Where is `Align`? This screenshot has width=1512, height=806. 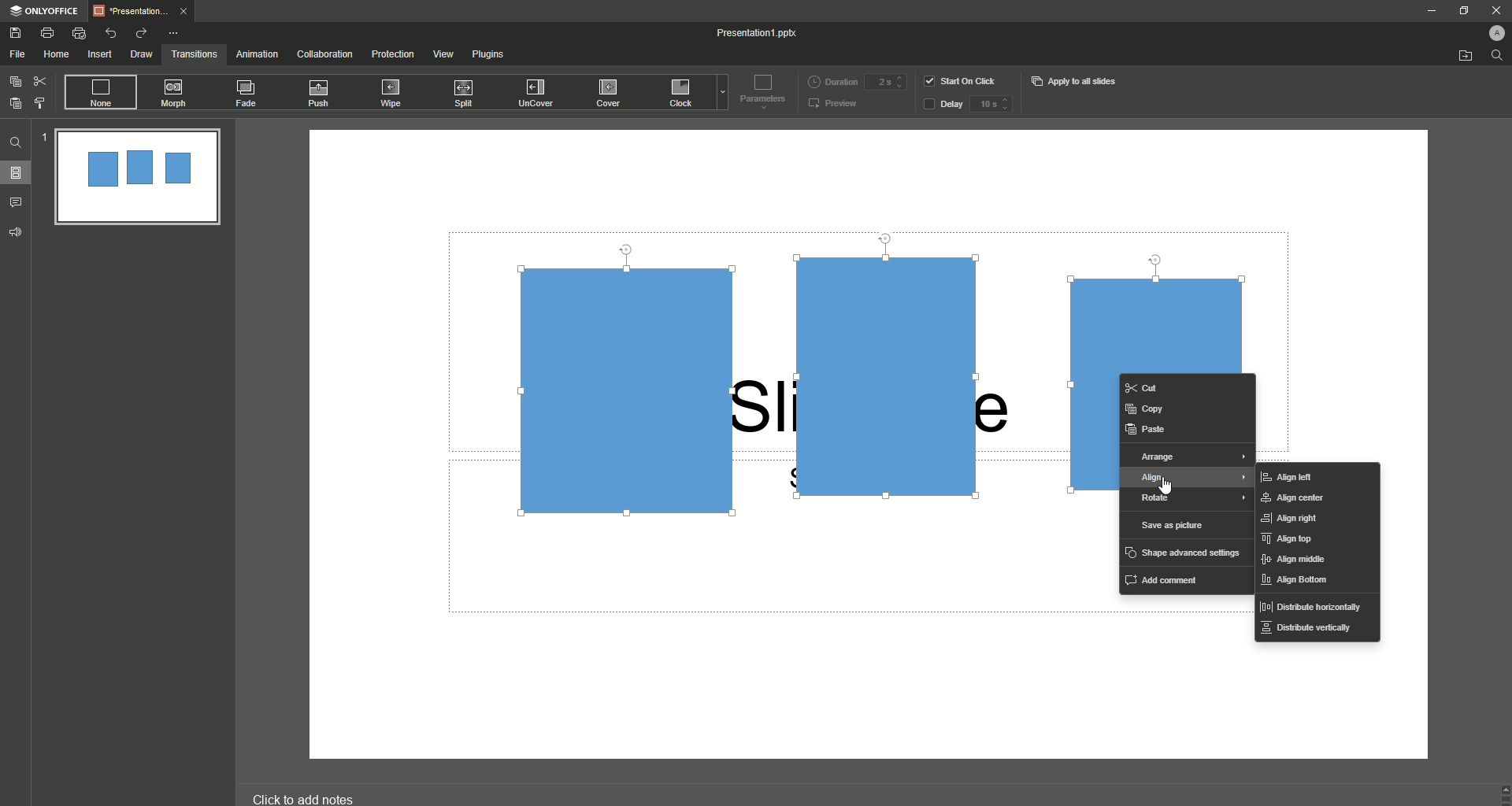 Align is located at coordinates (1188, 479).